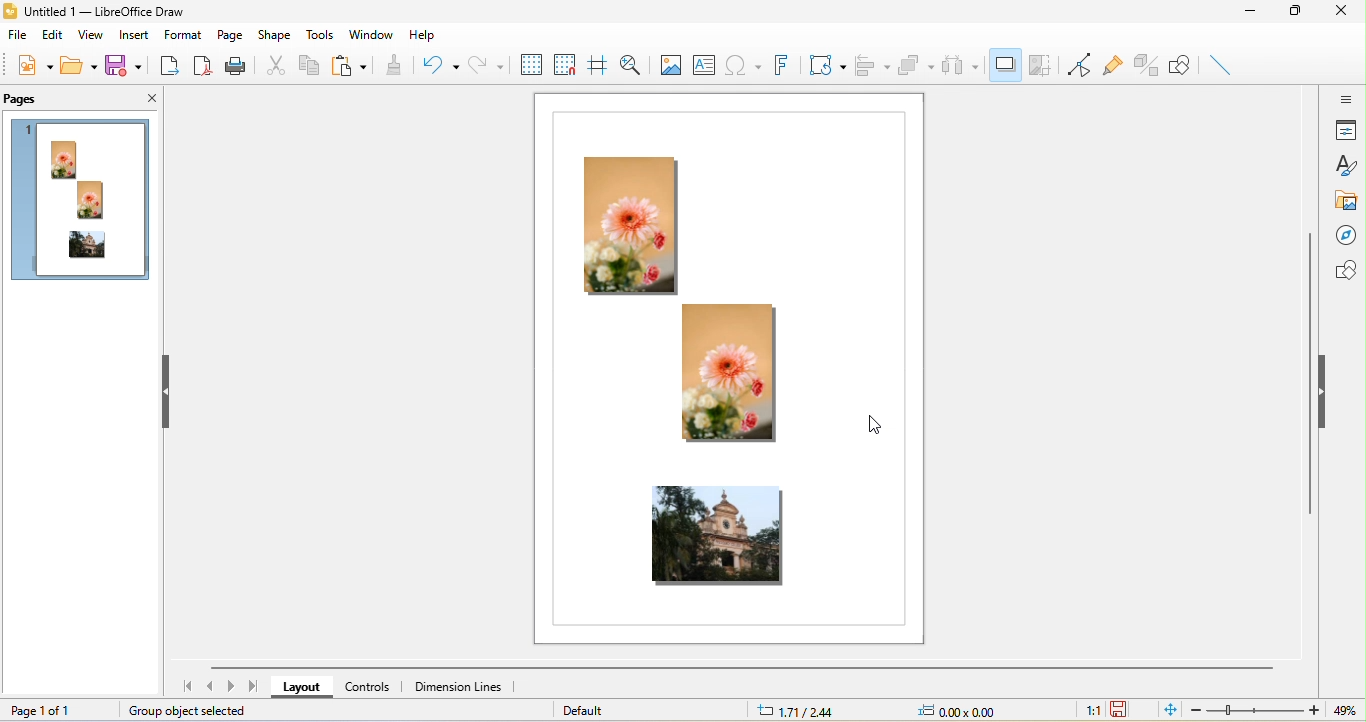 This screenshot has height=722, width=1366. I want to click on shape, so click(278, 34).